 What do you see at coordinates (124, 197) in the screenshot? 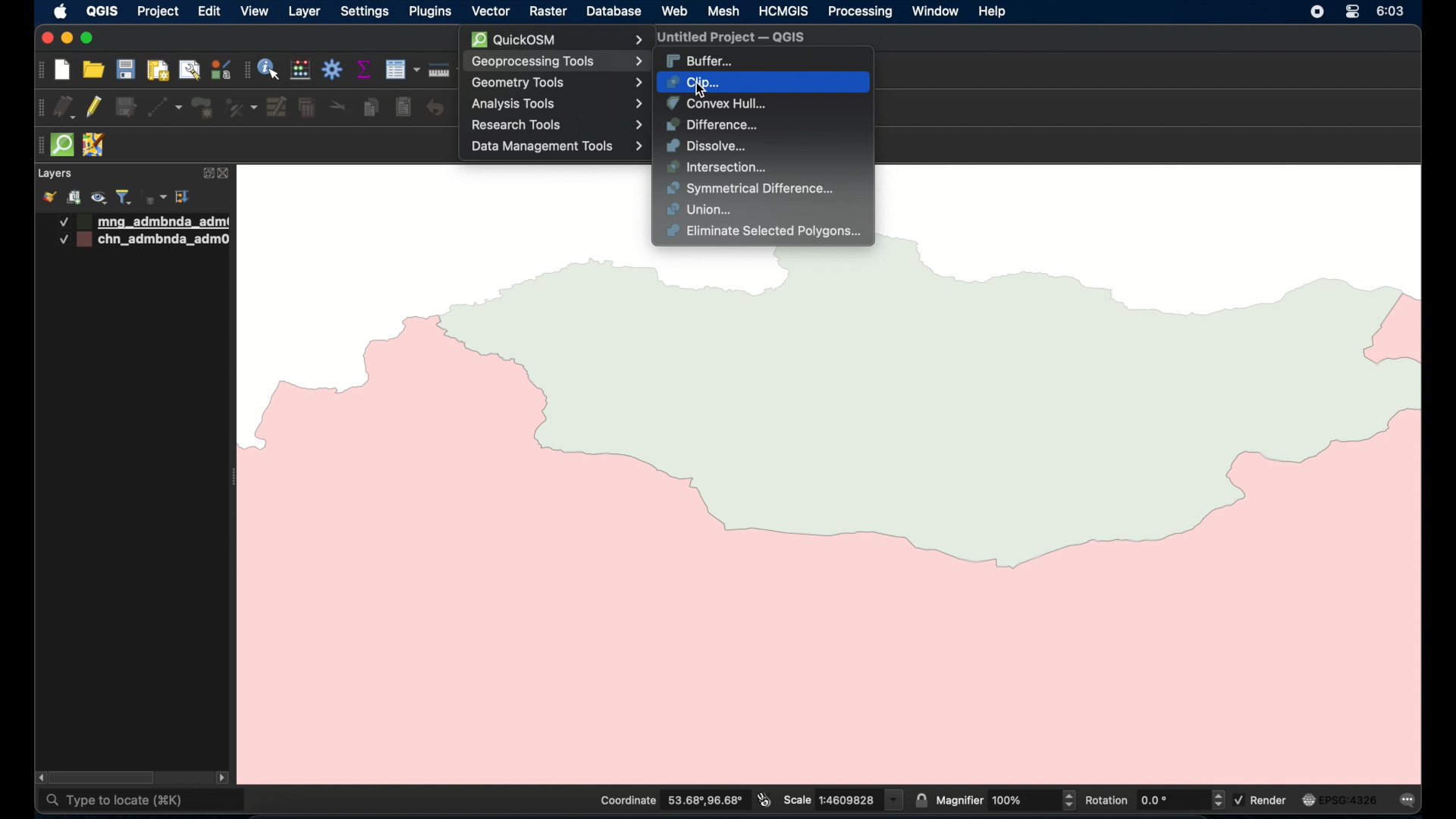
I see `filter legend` at bounding box center [124, 197].